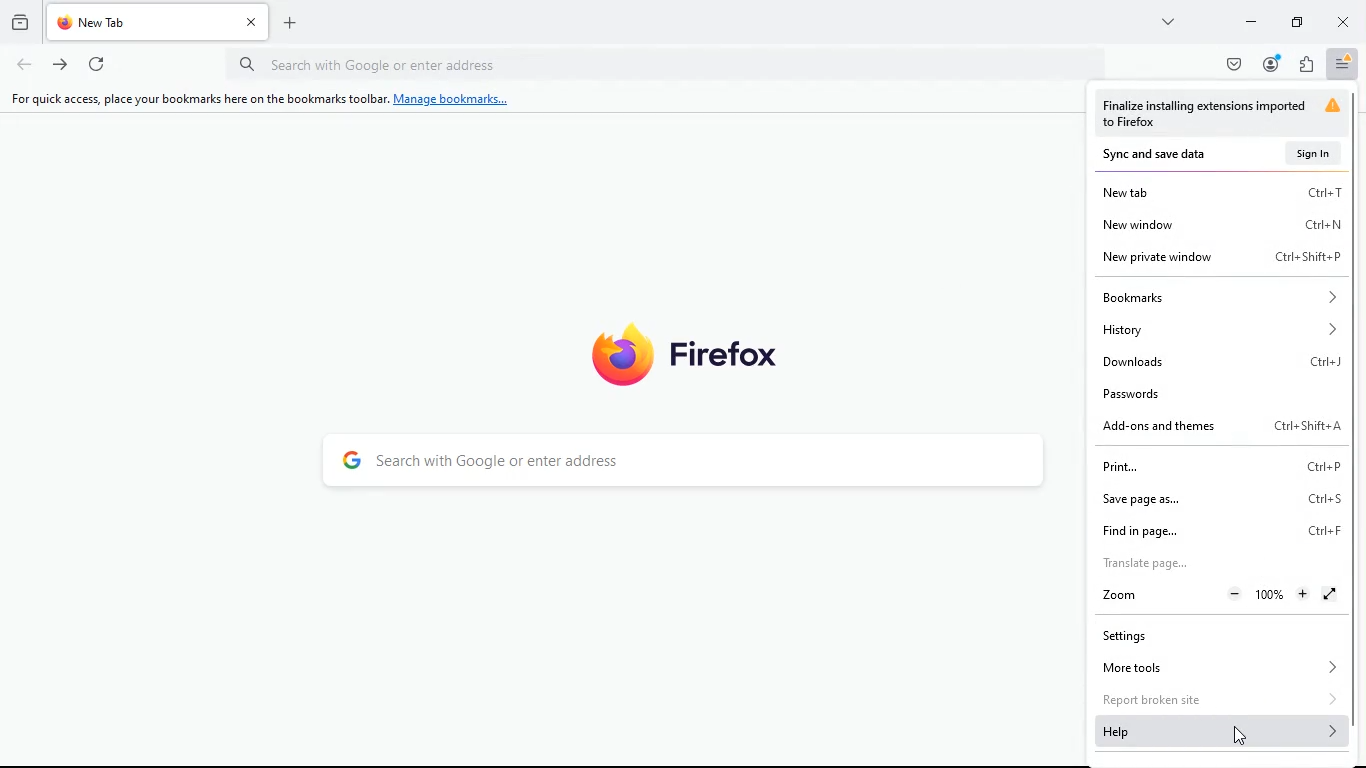  What do you see at coordinates (1223, 194) in the screenshot?
I see `new tab` at bounding box center [1223, 194].